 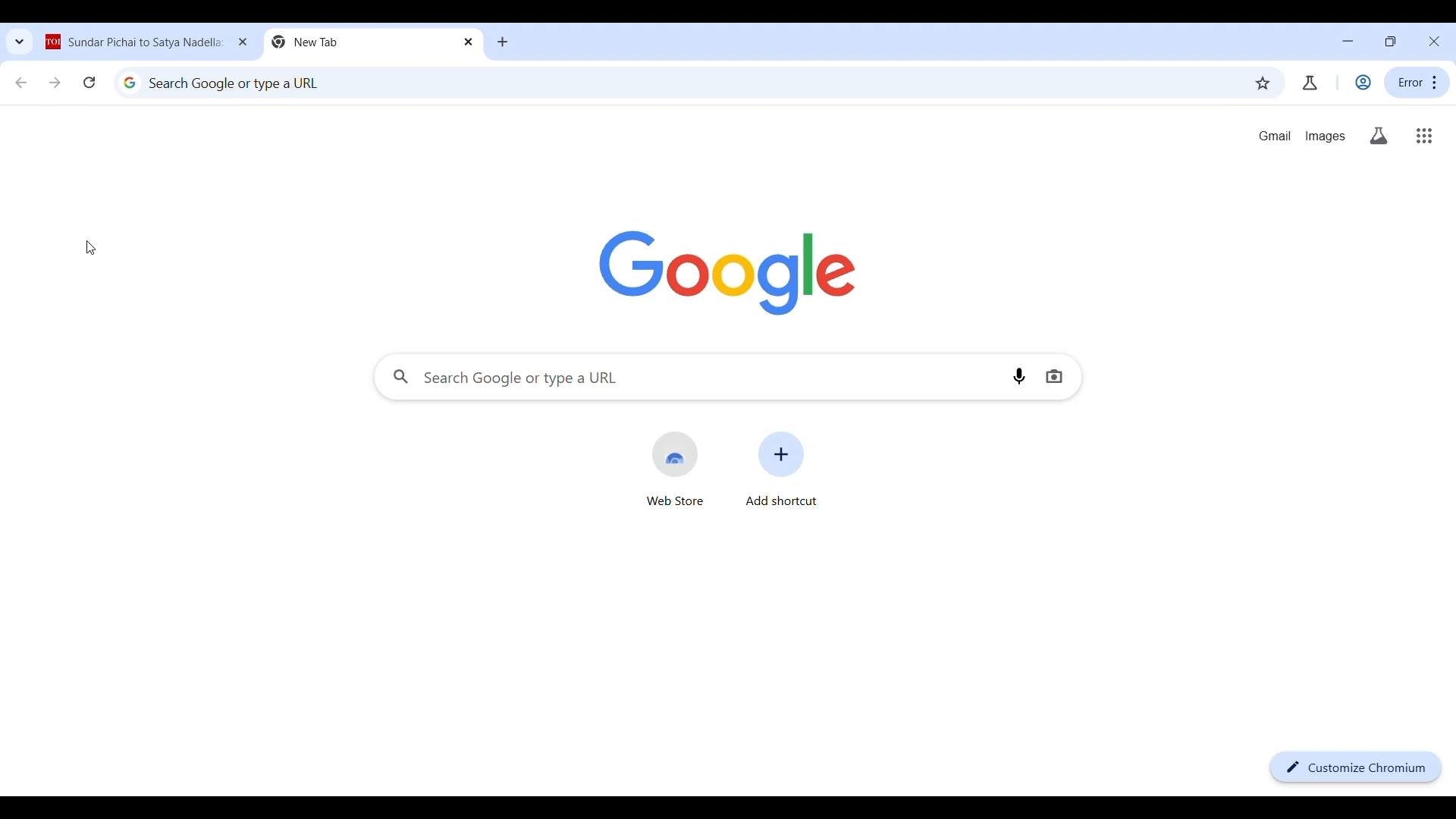 I want to click on Customize and control Chromium, so click(x=1417, y=82).